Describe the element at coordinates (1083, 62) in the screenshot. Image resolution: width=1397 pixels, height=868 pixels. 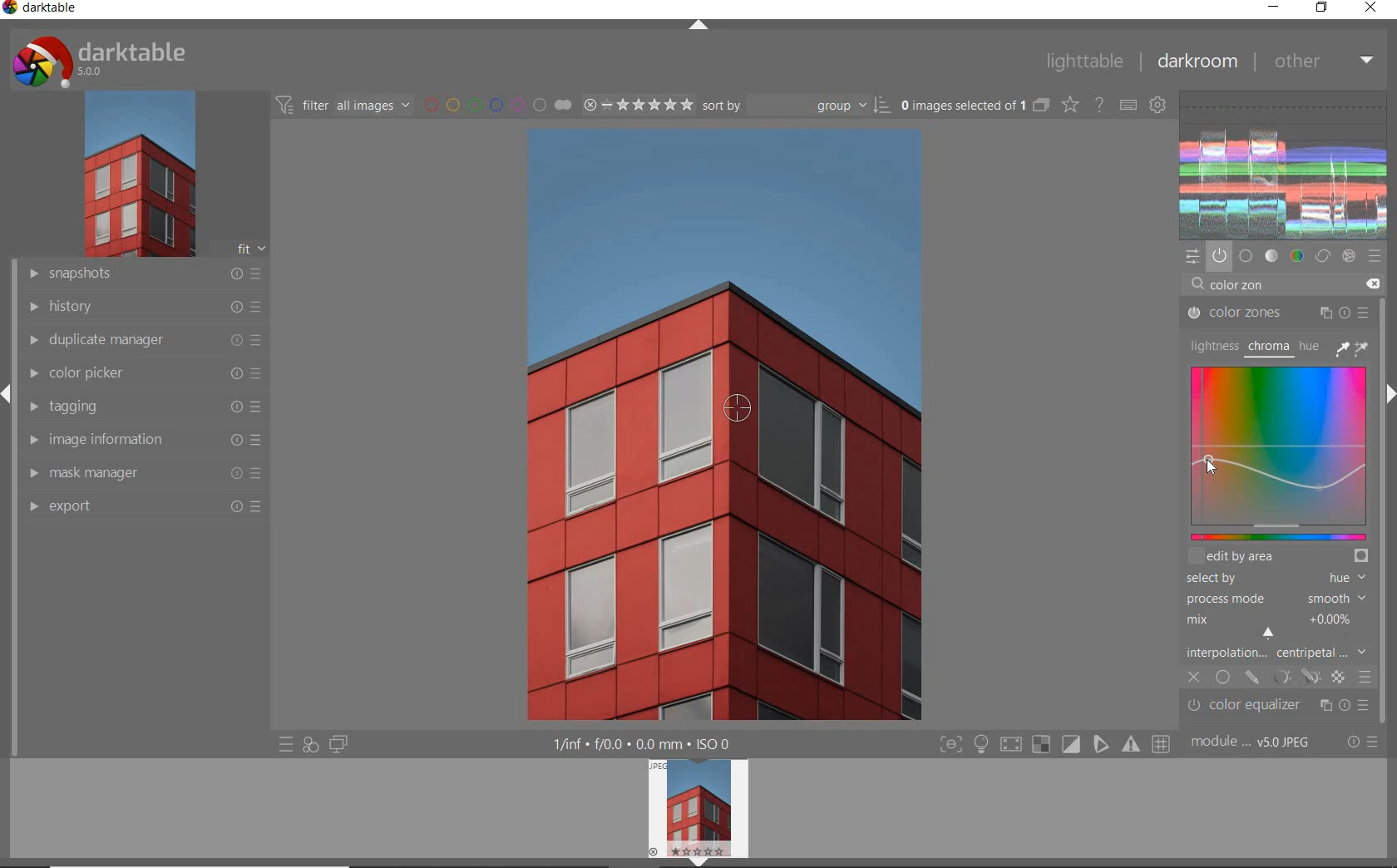
I see `lighttable` at that location.